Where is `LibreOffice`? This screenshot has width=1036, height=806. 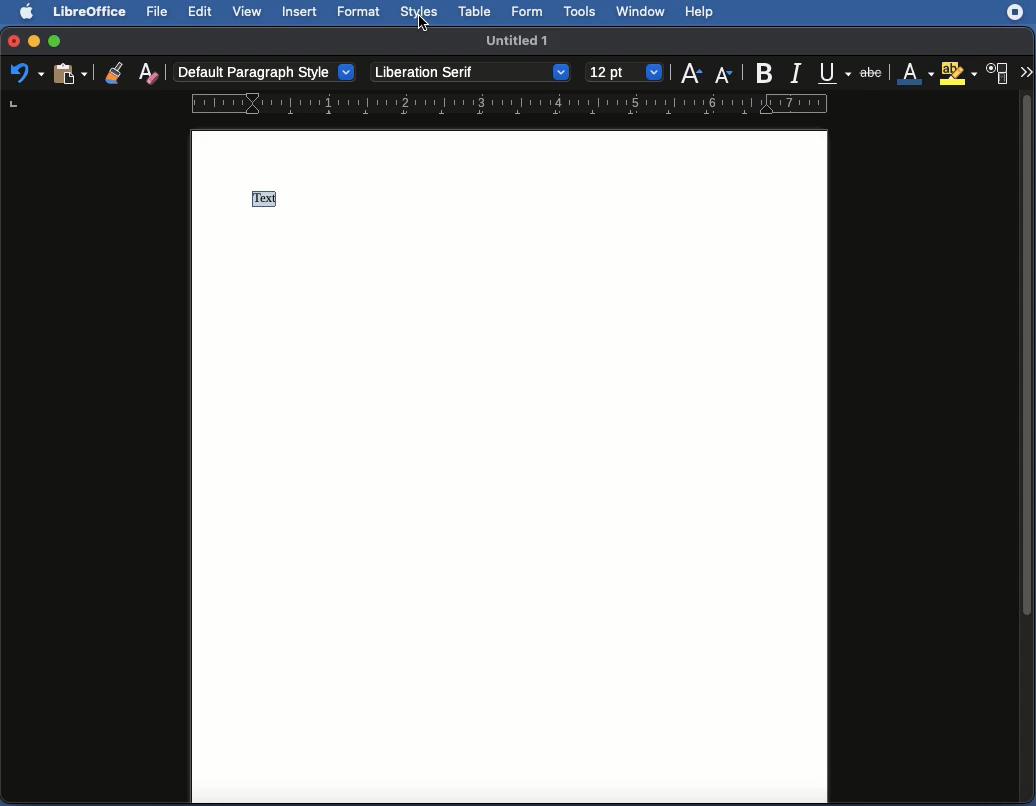 LibreOffice is located at coordinates (91, 12).